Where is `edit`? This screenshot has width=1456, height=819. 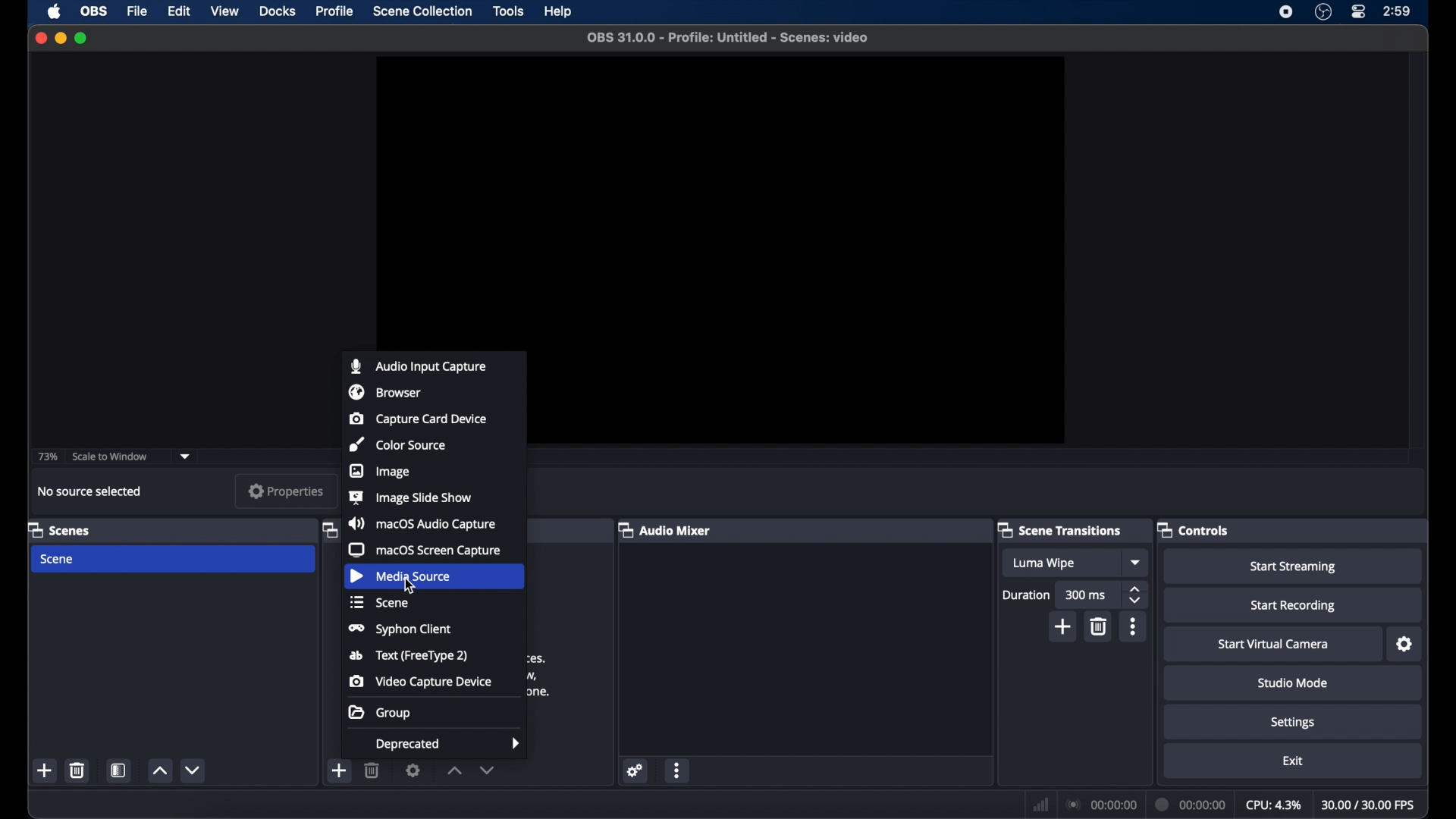
edit is located at coordinates (179, 12).